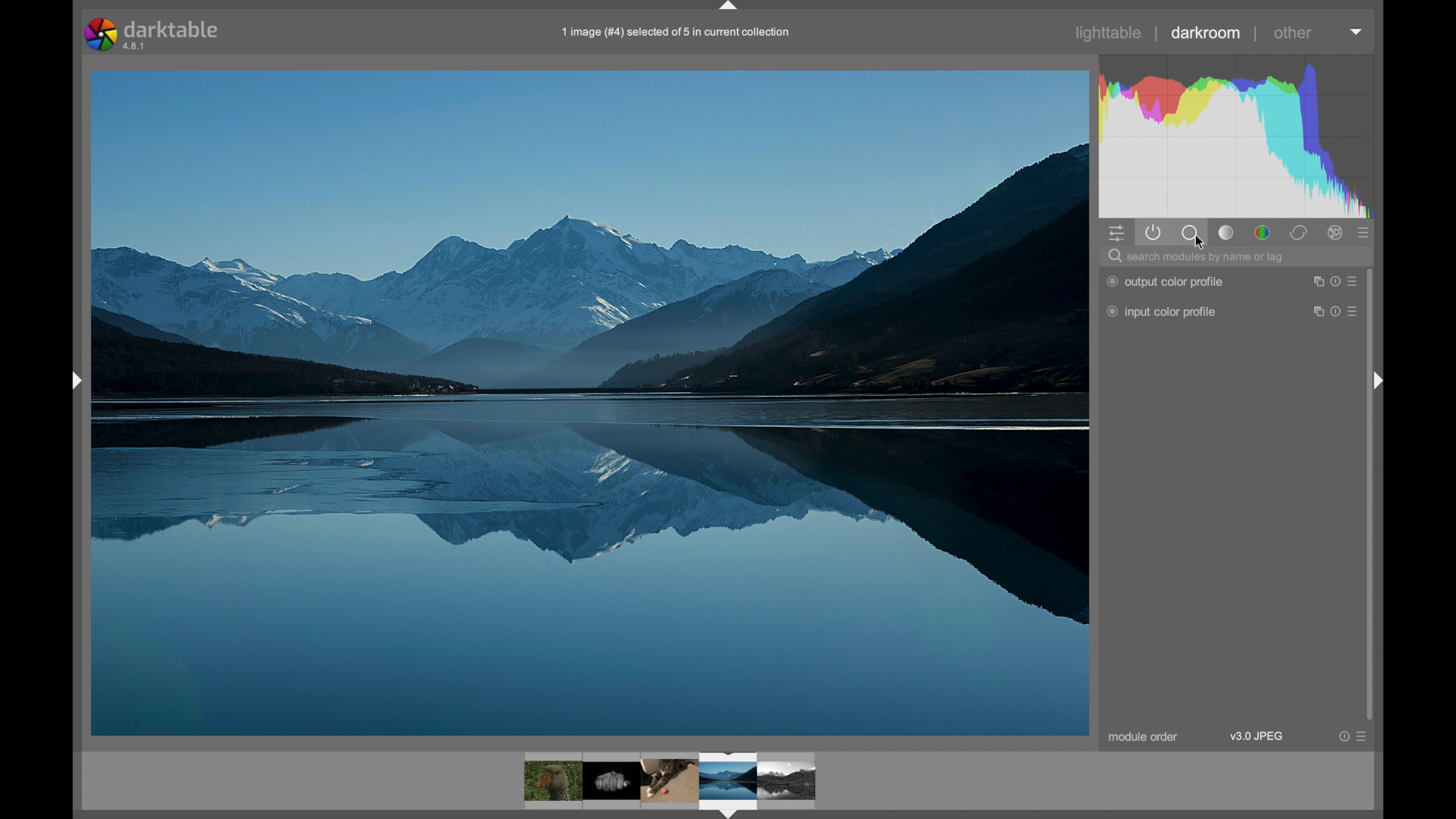 This screenshot has height=819, width=1456. What do you see at coordinates (1115, 233) in the screenshot?
I see `quick access panel` at bounding box center [1115, 233].